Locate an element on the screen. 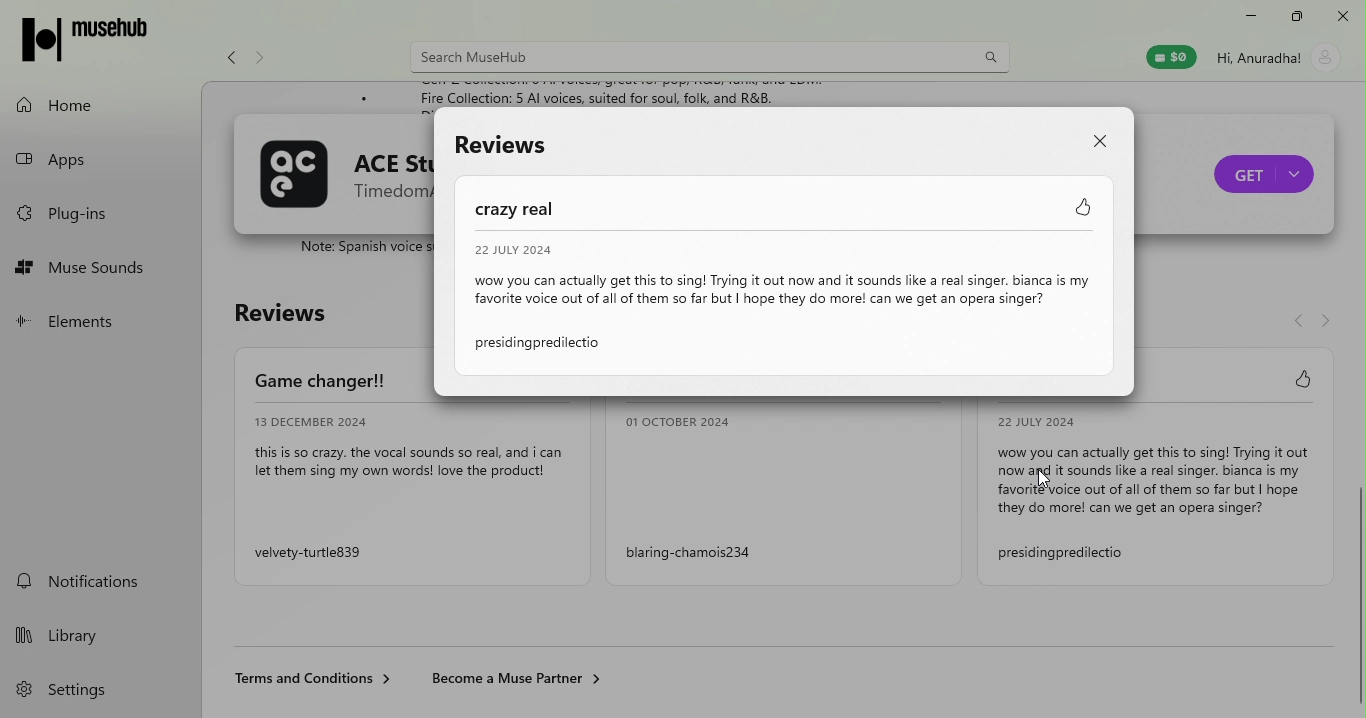 This screenshot has height=718, width=1366. Like is located at coordinates (1289, 378).